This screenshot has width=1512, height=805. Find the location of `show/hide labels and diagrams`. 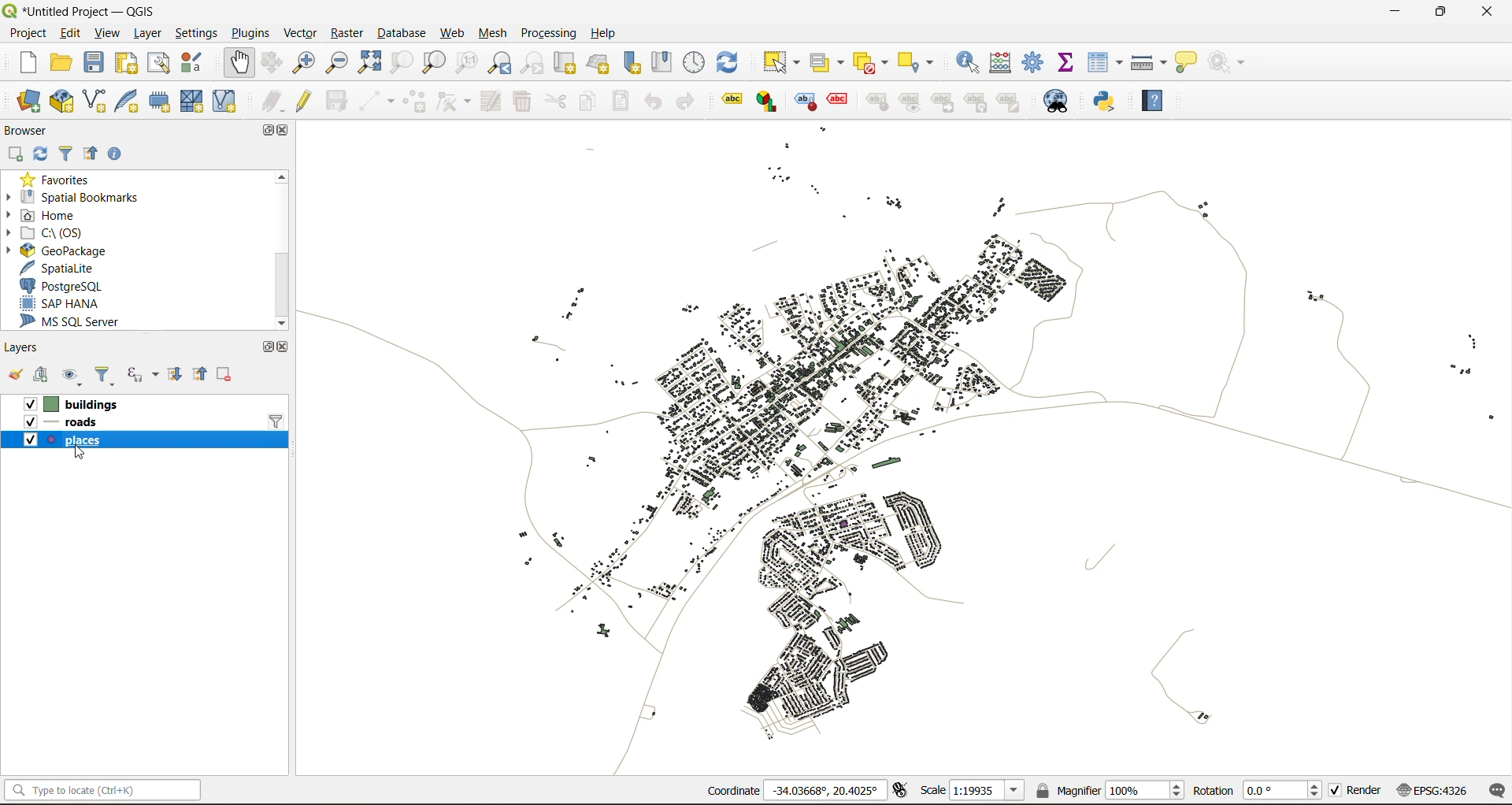

show/hide labels and diagrams is located at coordinates (913, 102).